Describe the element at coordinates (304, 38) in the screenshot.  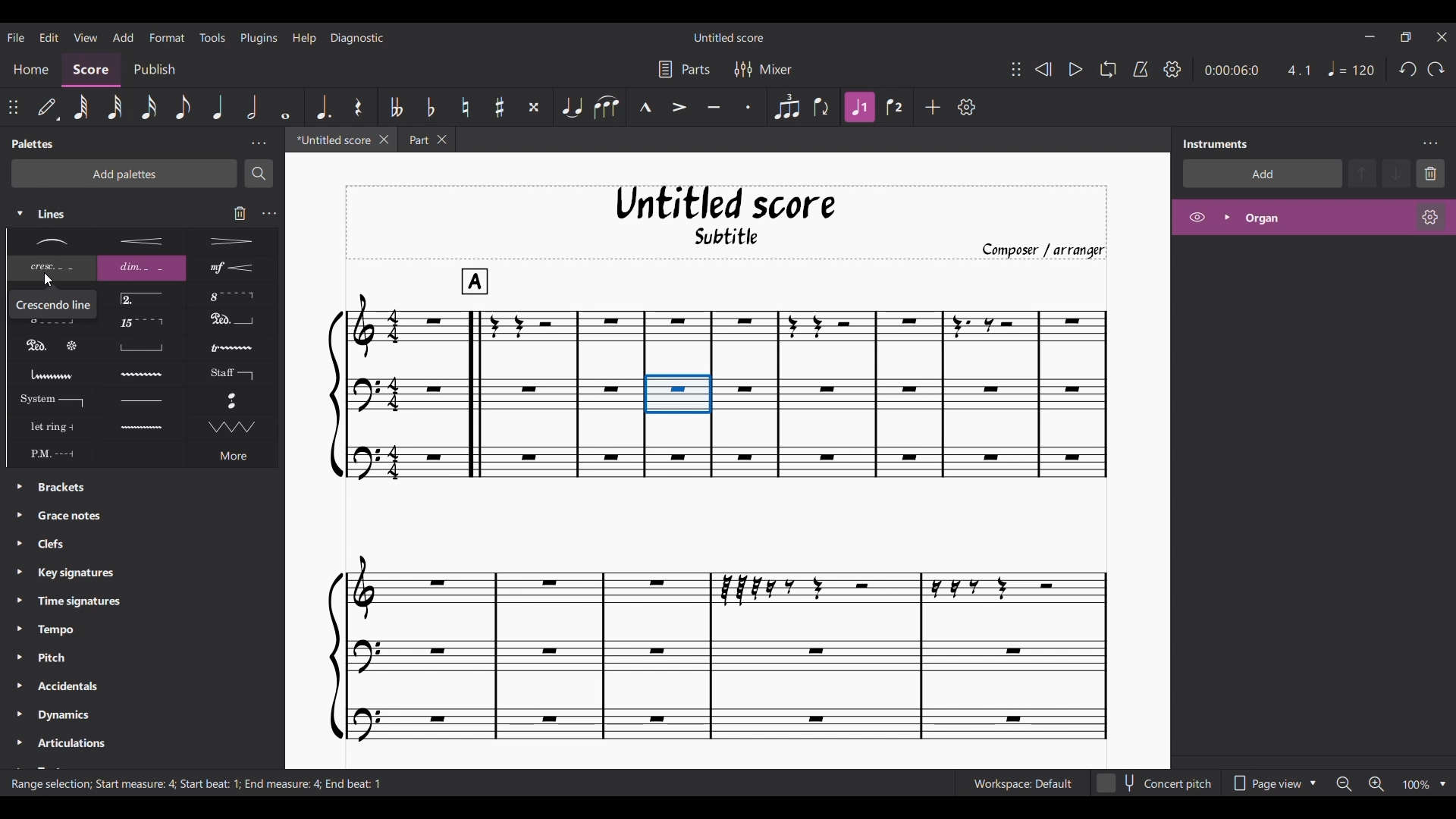
I see `Help menu` at that location.